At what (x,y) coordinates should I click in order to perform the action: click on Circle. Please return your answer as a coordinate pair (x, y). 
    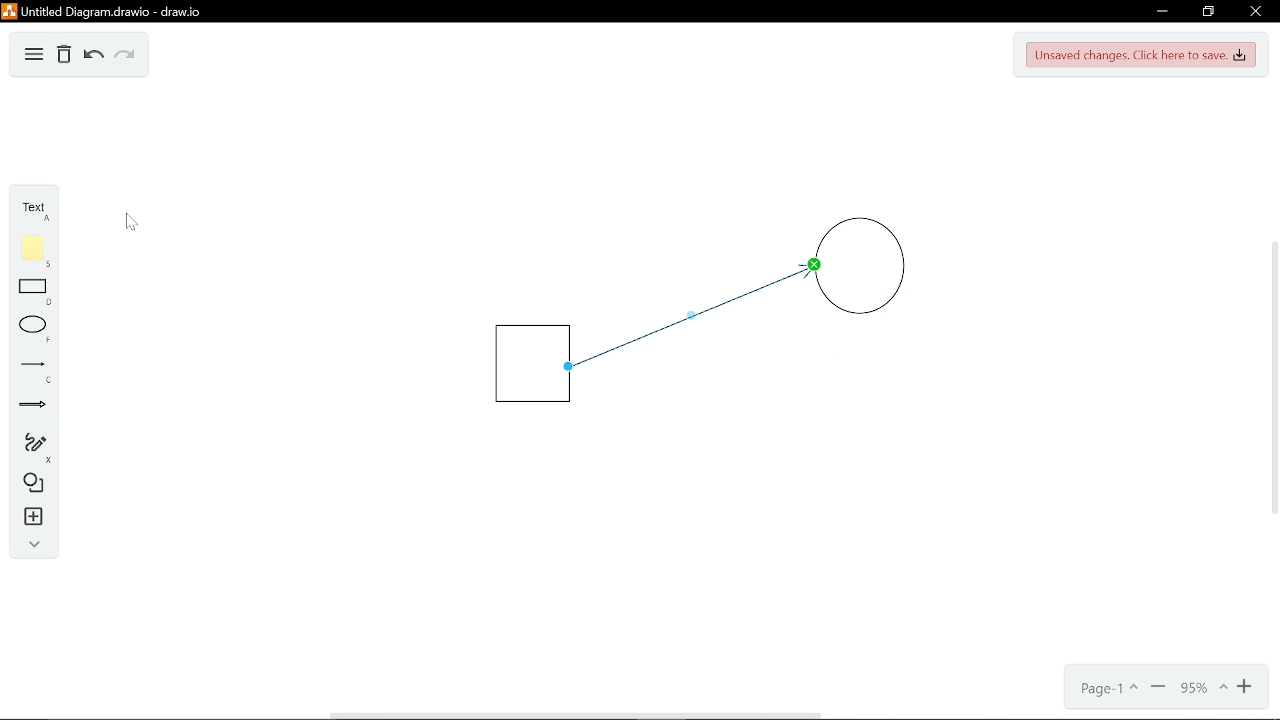
    Looking at the image, I should click on (893, 270).